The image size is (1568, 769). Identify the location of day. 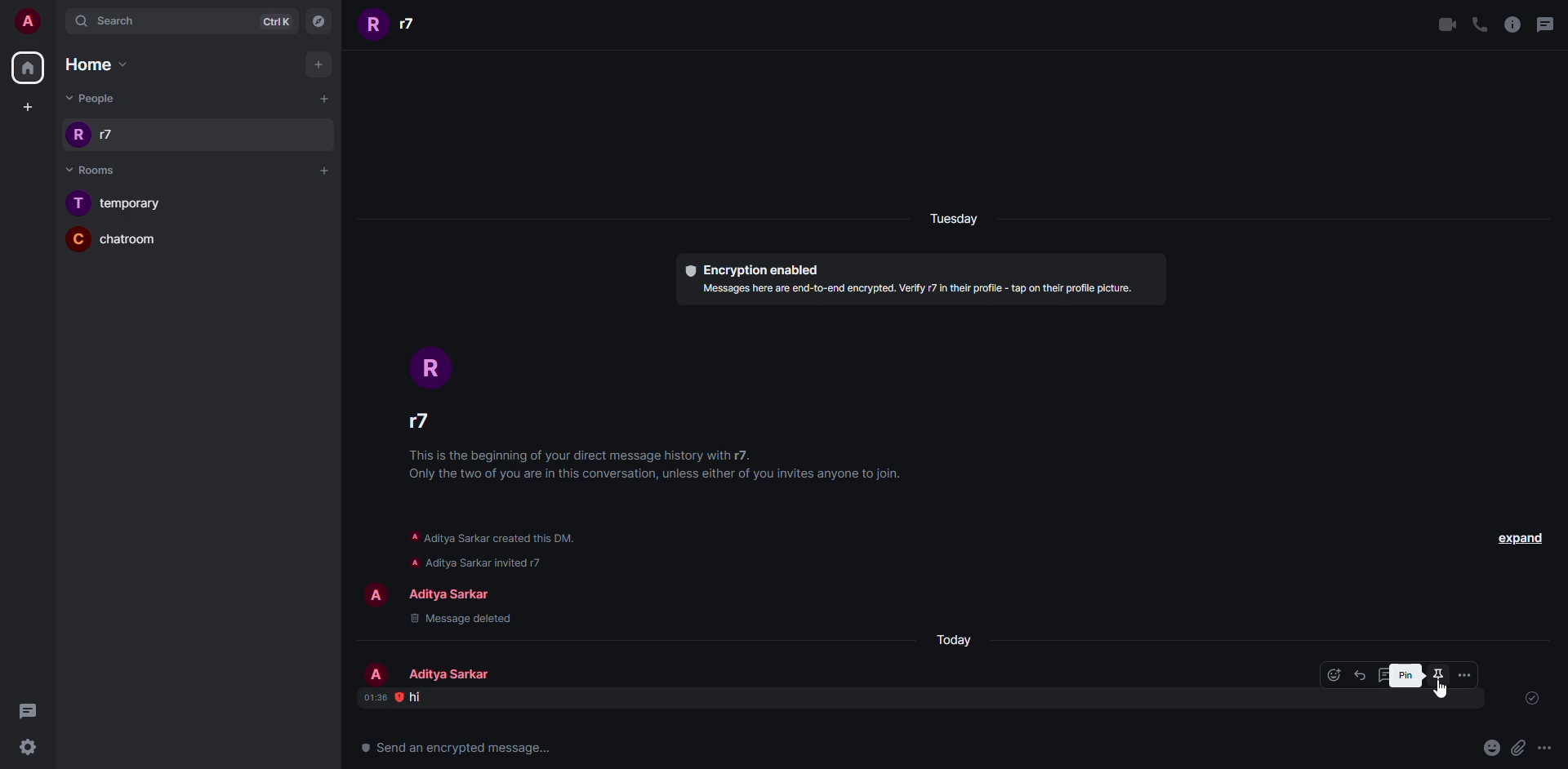
(959, 215).